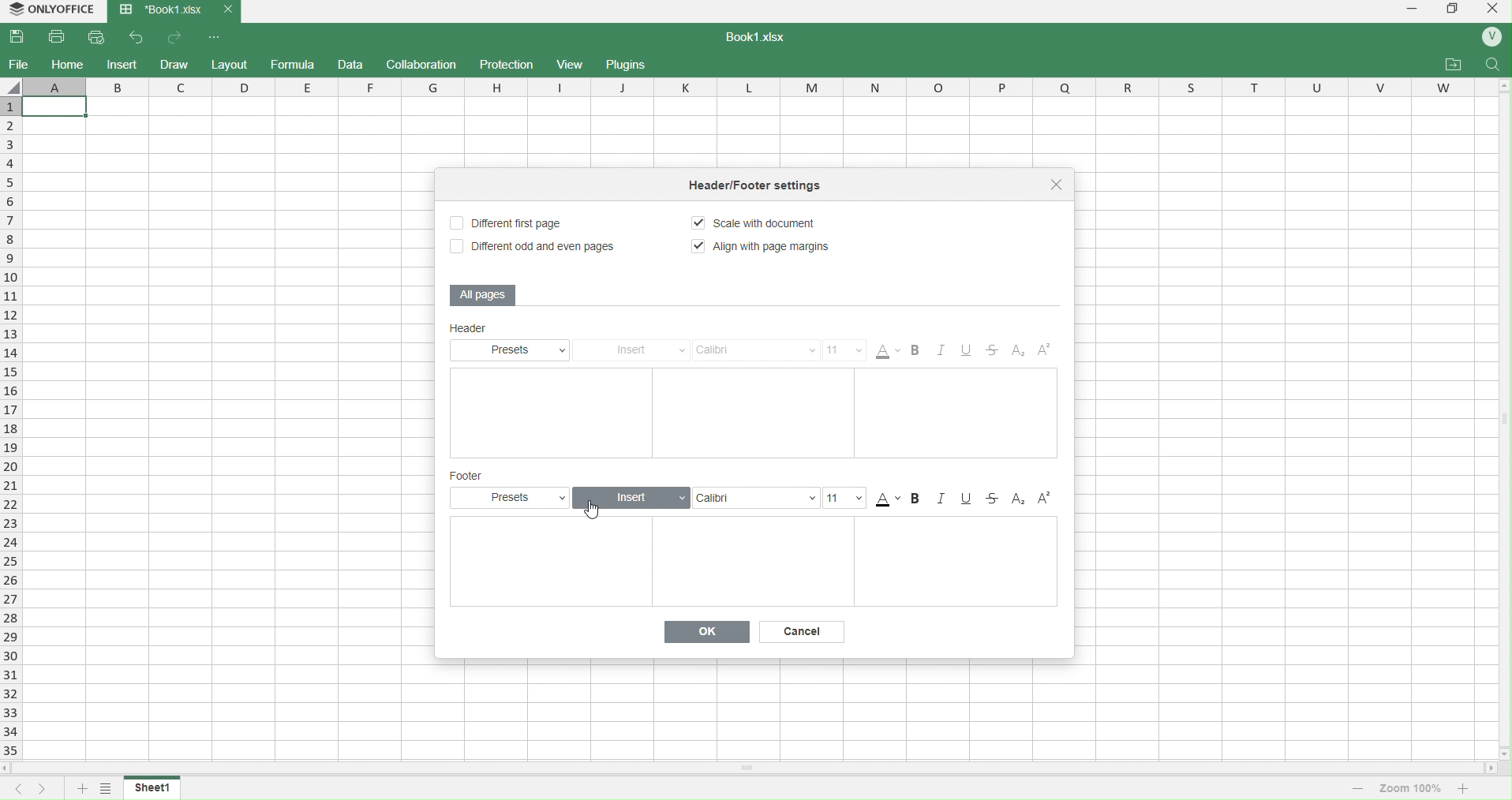 The width and height of the screenshot is (1512, 800). Describe the element at coordinates (847, 498) in the screenshot. I see `Size` at that location.